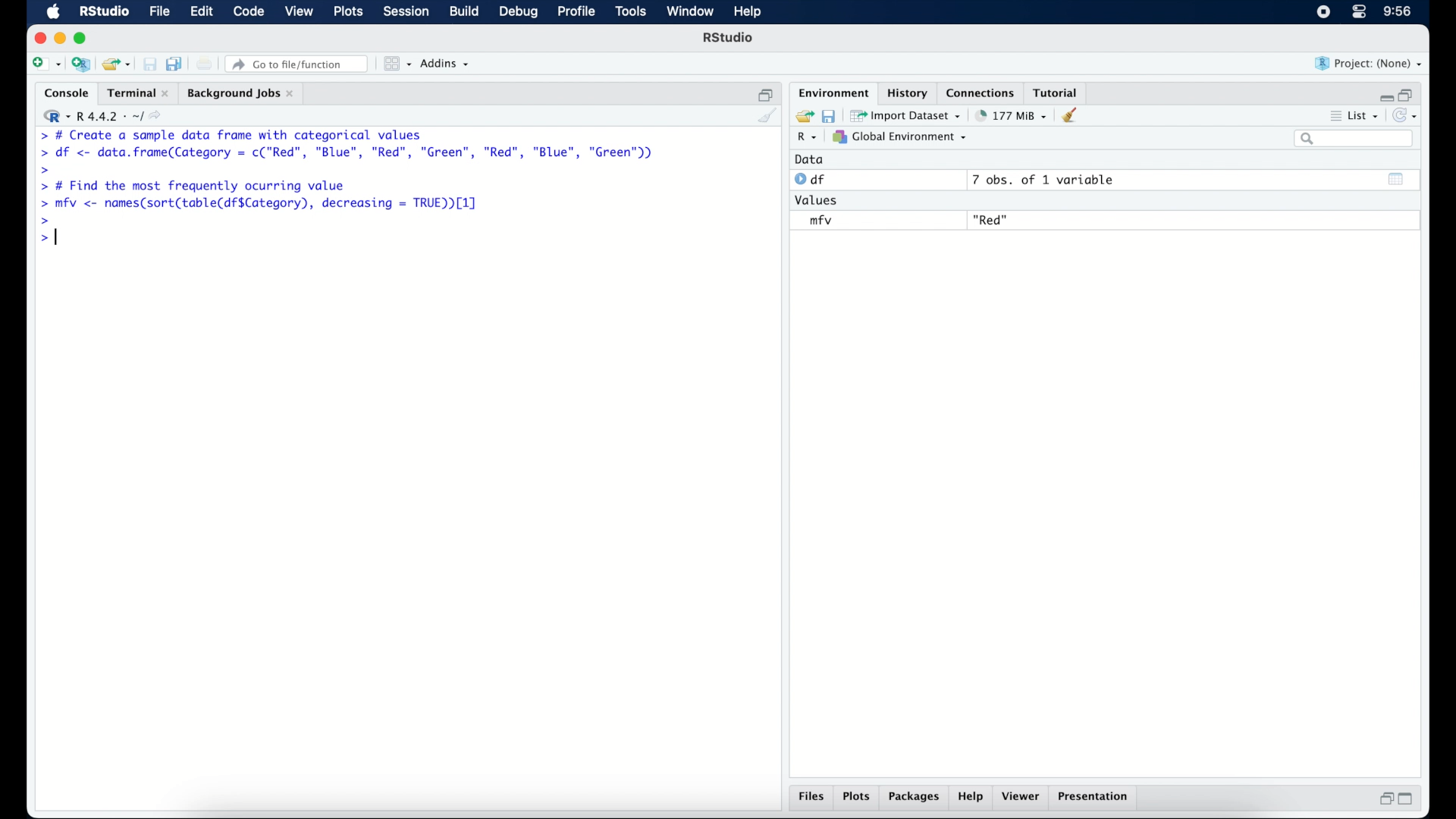 This screenshot has height=819, width=1456. I want to click on new file, so click(45, 63).